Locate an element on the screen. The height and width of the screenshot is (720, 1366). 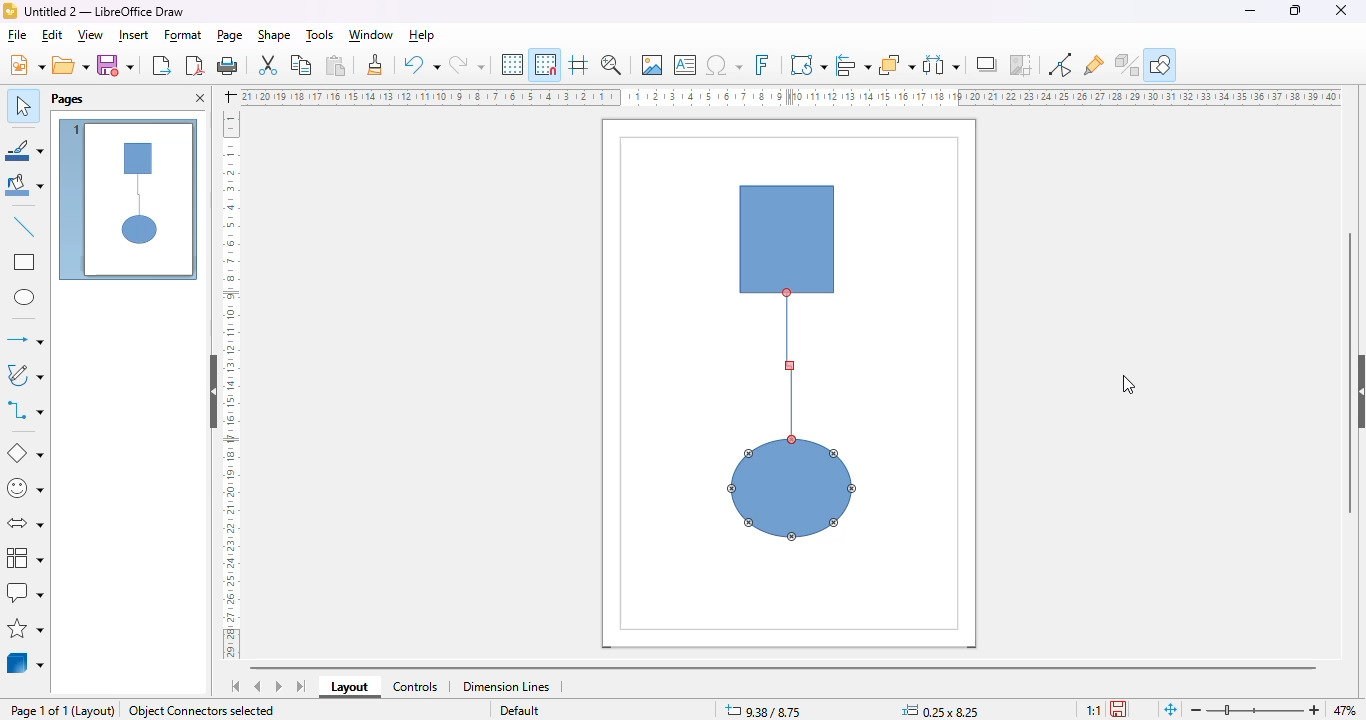
hide is located at coordinates (215, 392).